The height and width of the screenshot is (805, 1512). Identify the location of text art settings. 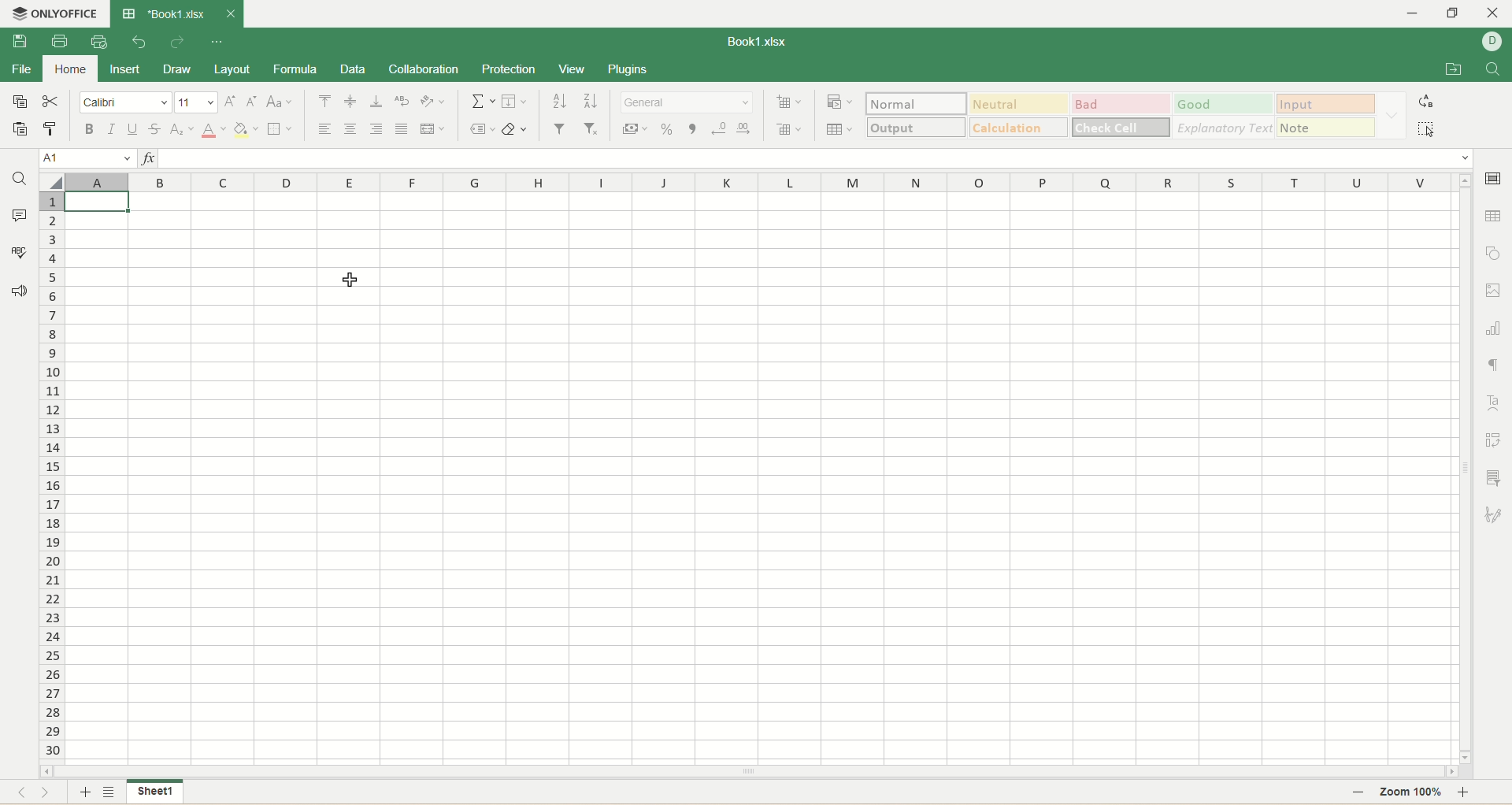
(1494, 403).